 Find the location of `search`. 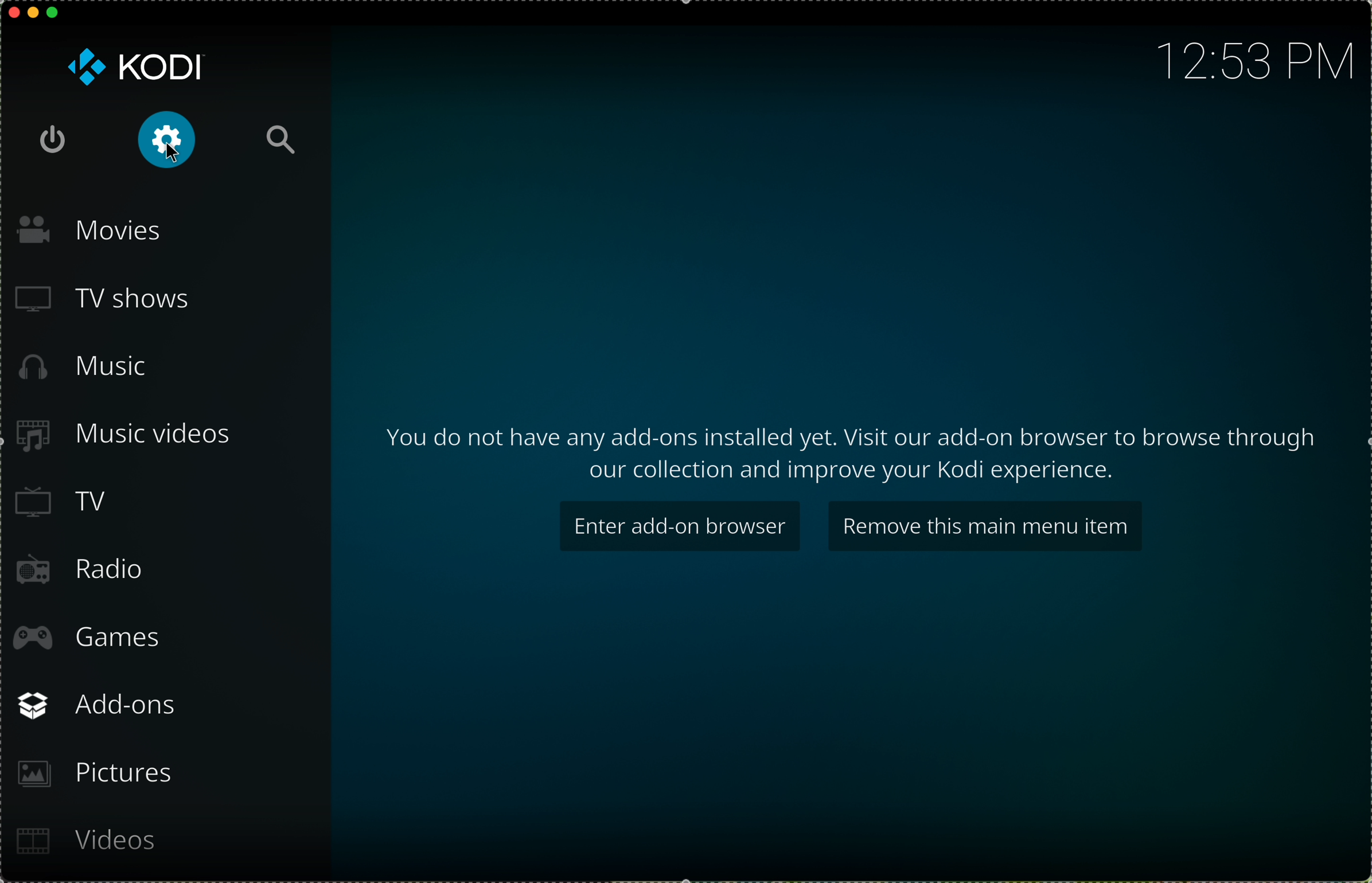

search is located at coordinates (277, 139).